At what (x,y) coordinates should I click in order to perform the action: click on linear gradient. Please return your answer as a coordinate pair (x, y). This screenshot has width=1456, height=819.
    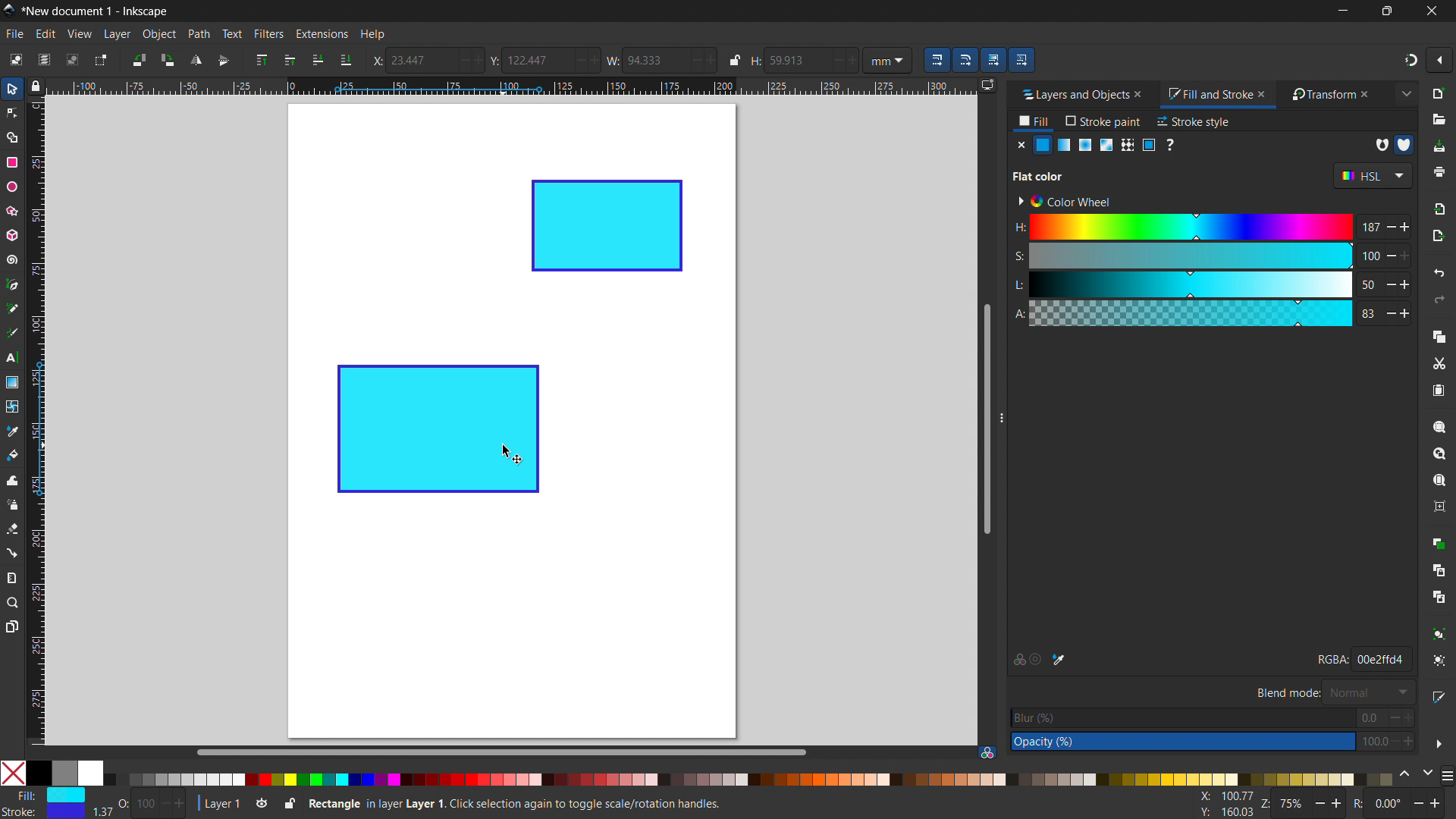
    Looking at the image, I should click on (1065, 145).